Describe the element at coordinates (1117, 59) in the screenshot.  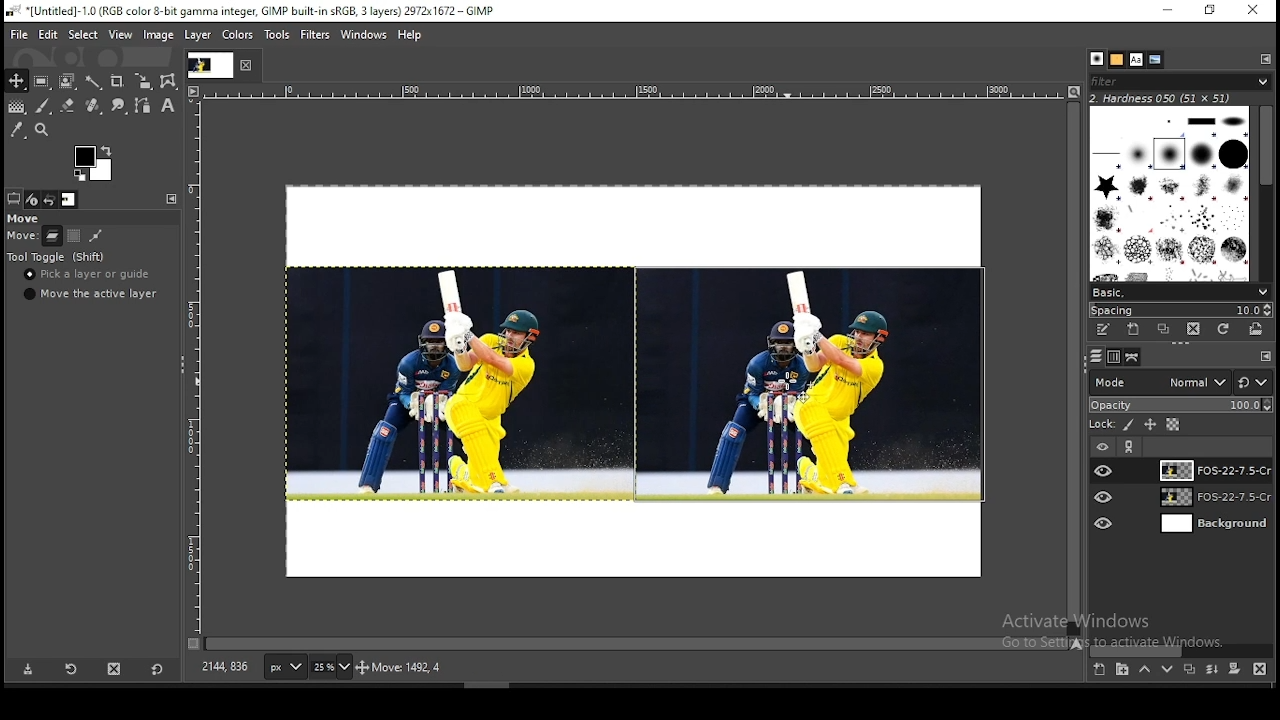
I see `patterns` at that location.